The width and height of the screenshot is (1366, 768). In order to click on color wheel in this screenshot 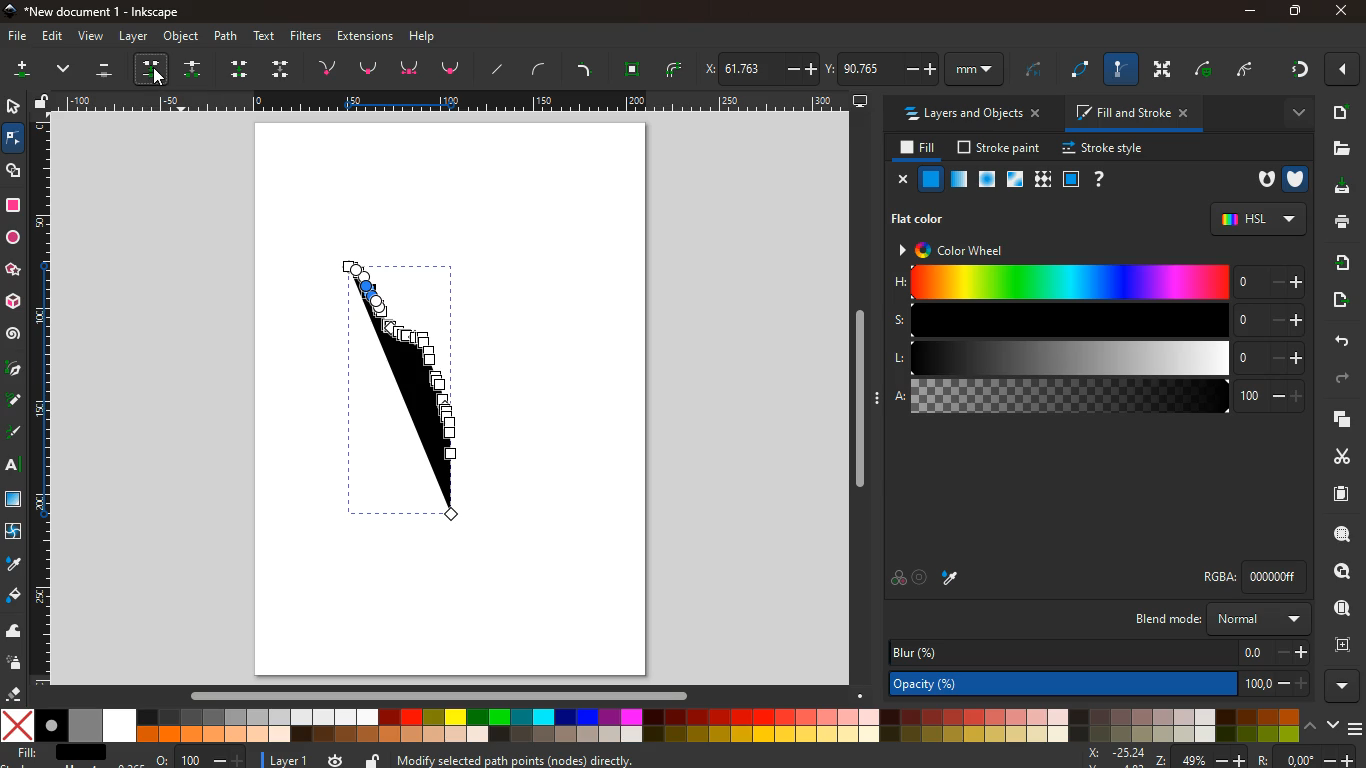, I will do `click(963, 249)`.